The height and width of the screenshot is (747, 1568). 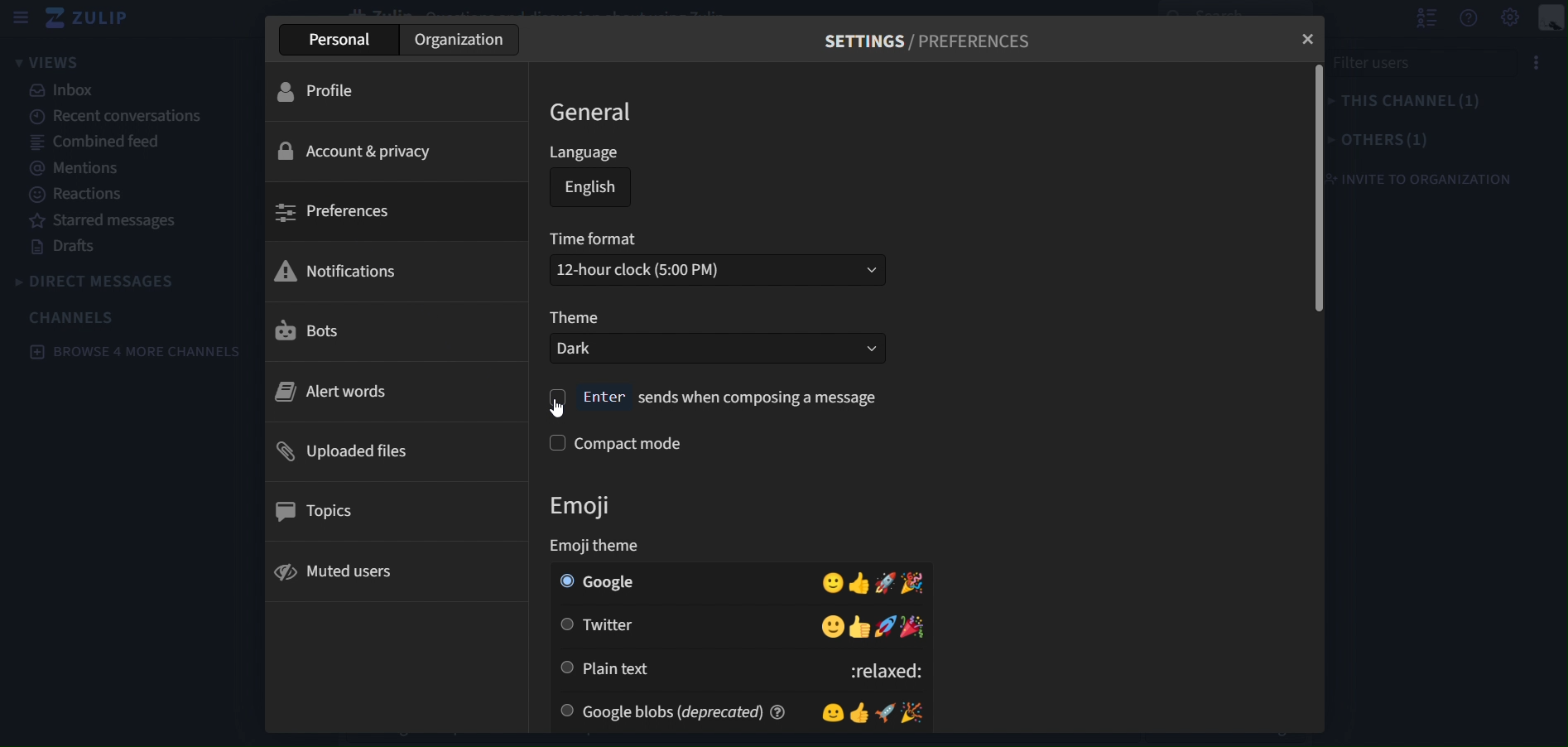 What do you see at coordinates (387, 450) in the screenshot?
I see `uploaded files` at bounding box center [387, 450].